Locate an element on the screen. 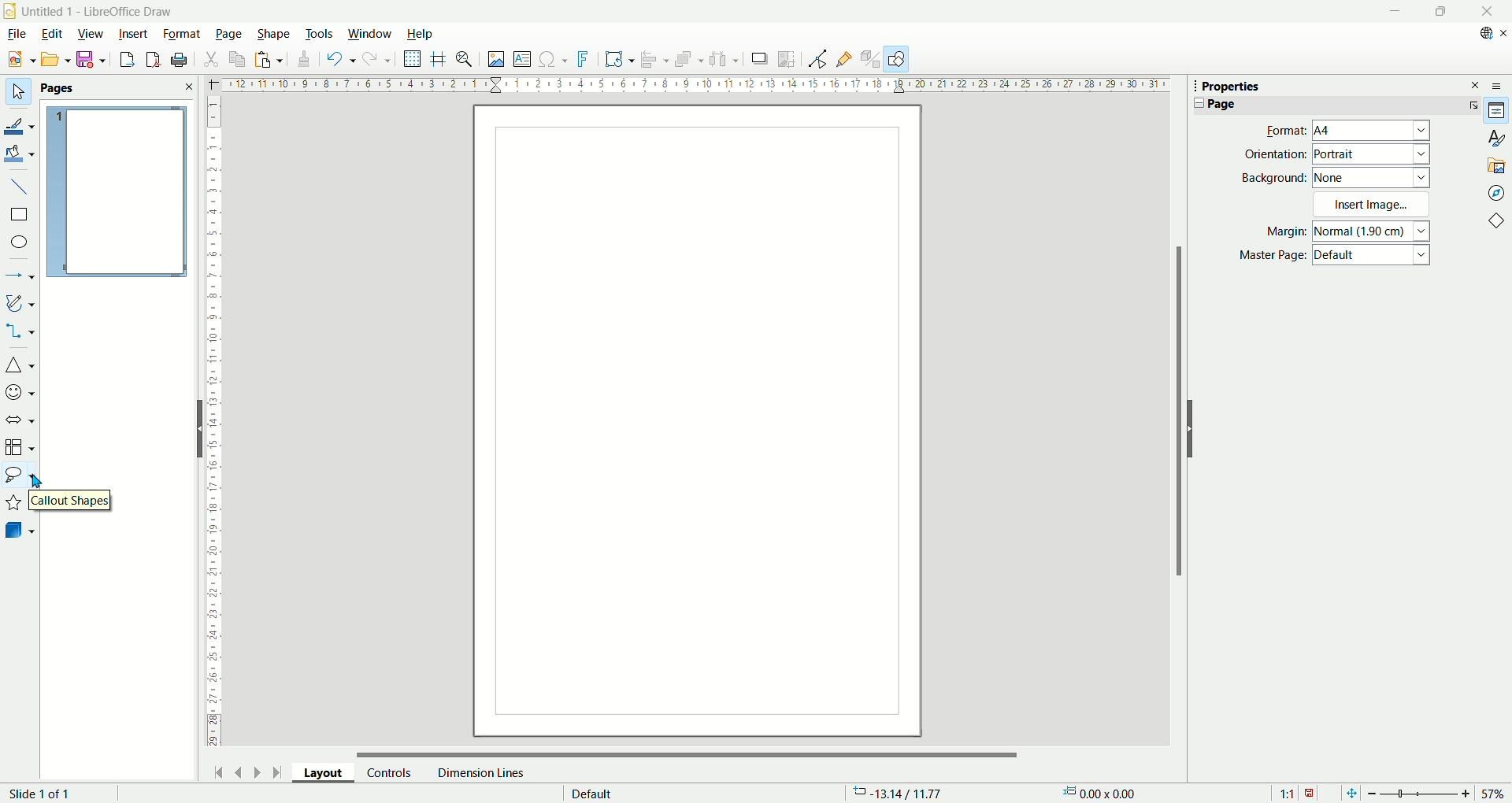 The image size is (1512, 803). basic shapes is located at coordinates (1499, 223).